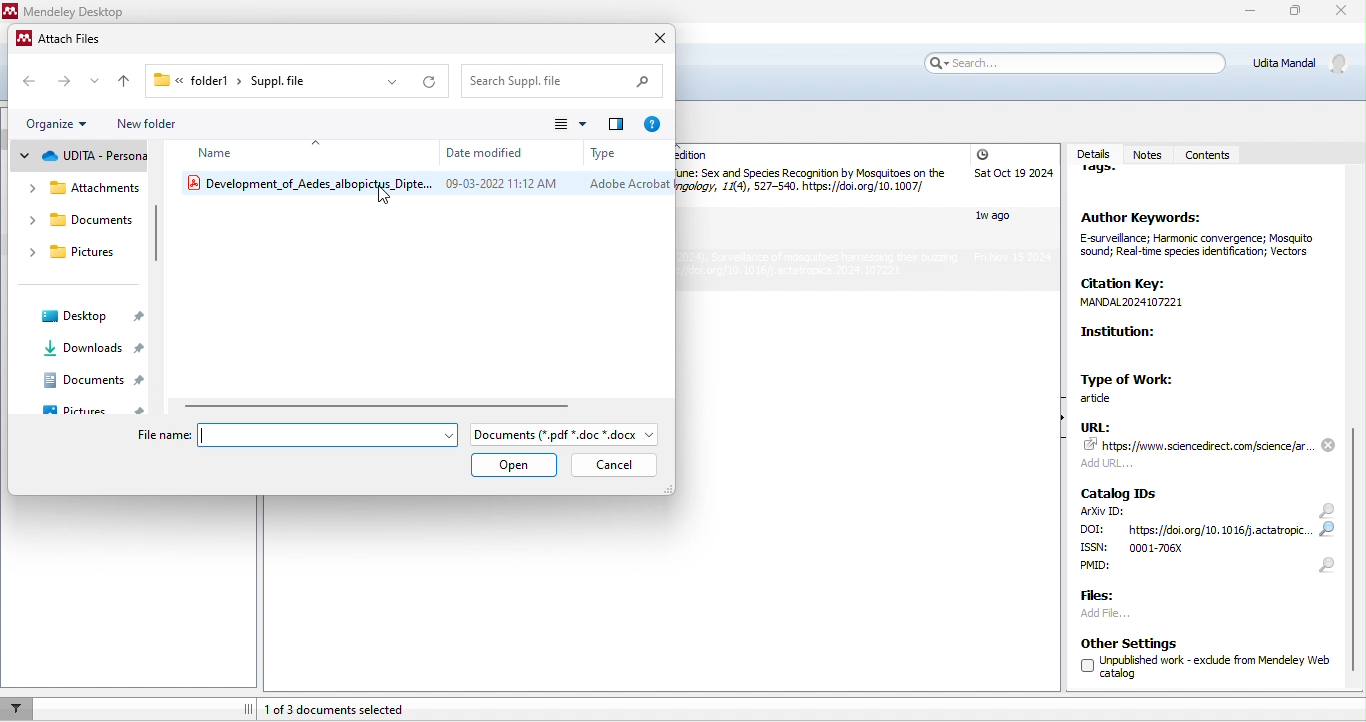 The width and height of the screenshot is (1366, 722). I want to click on close, so click(1343, 14).